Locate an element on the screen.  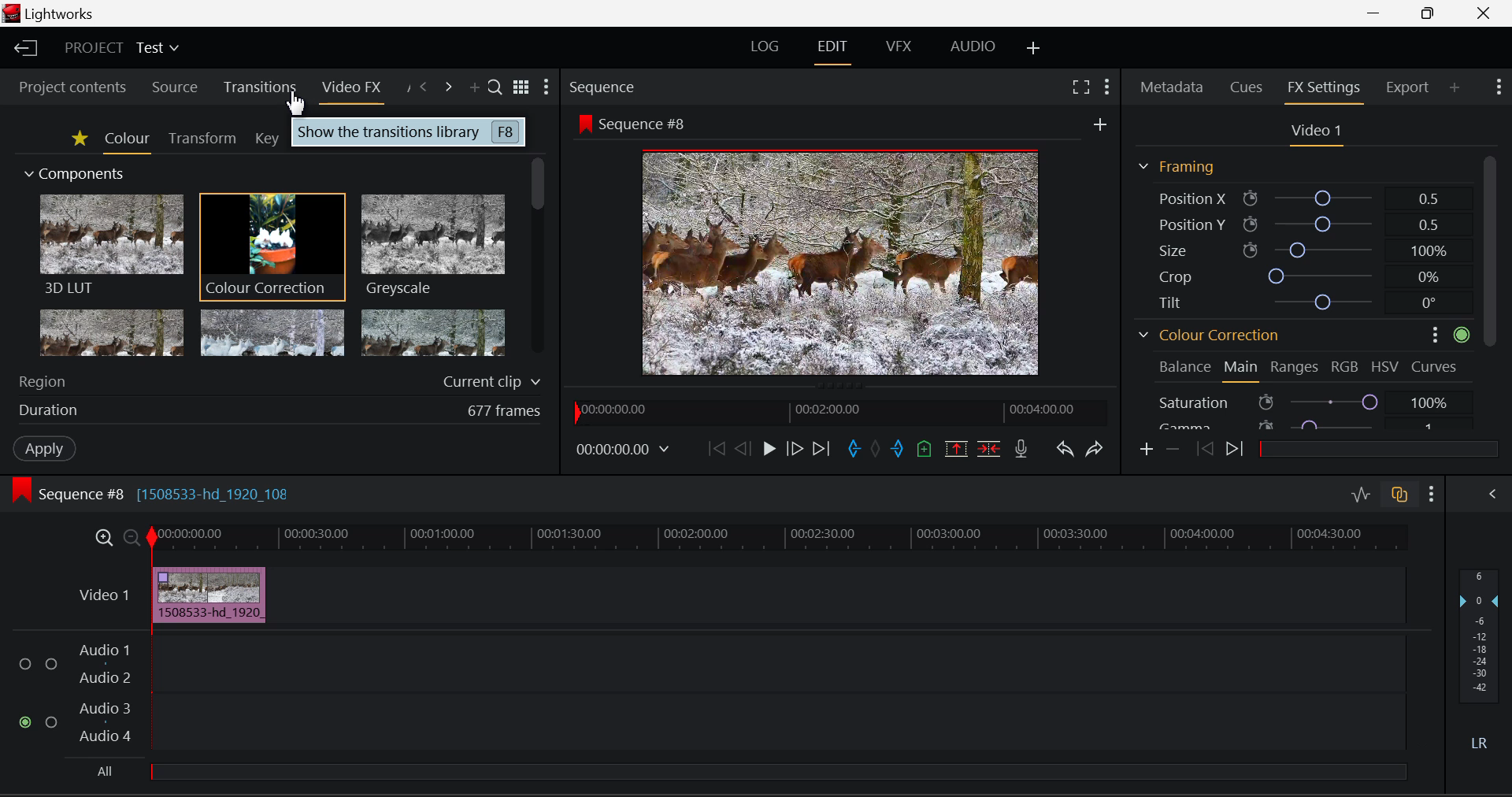
Scroll Bar is located at coordinates (1492, 290).